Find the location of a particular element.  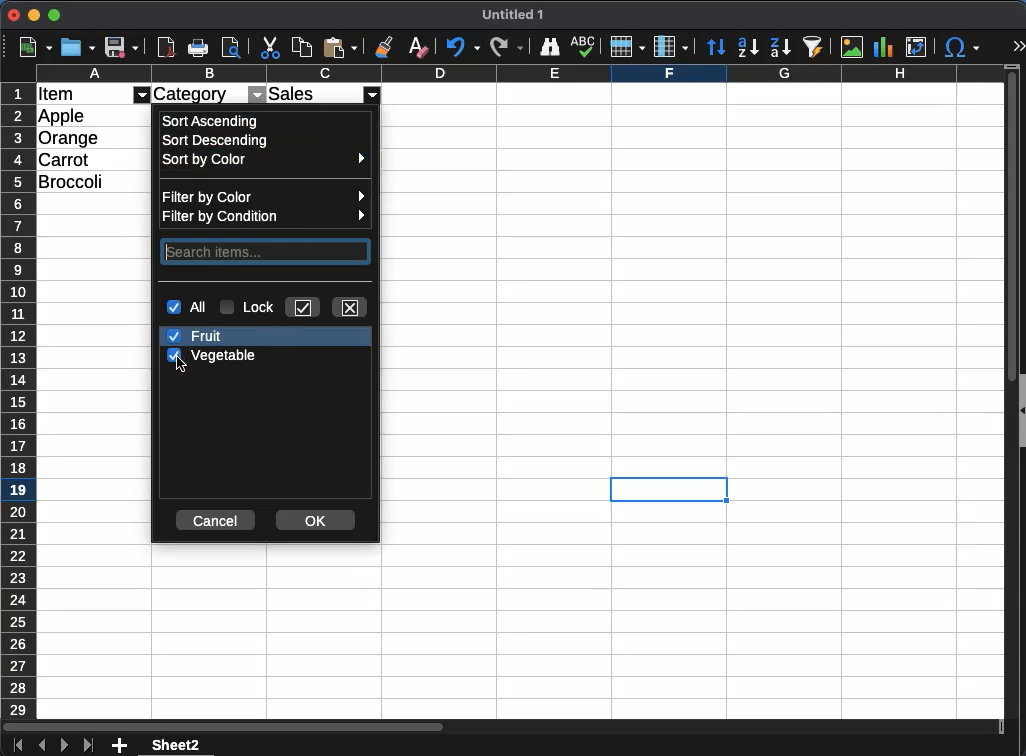

autofilter is located at coordinates (815, 48).